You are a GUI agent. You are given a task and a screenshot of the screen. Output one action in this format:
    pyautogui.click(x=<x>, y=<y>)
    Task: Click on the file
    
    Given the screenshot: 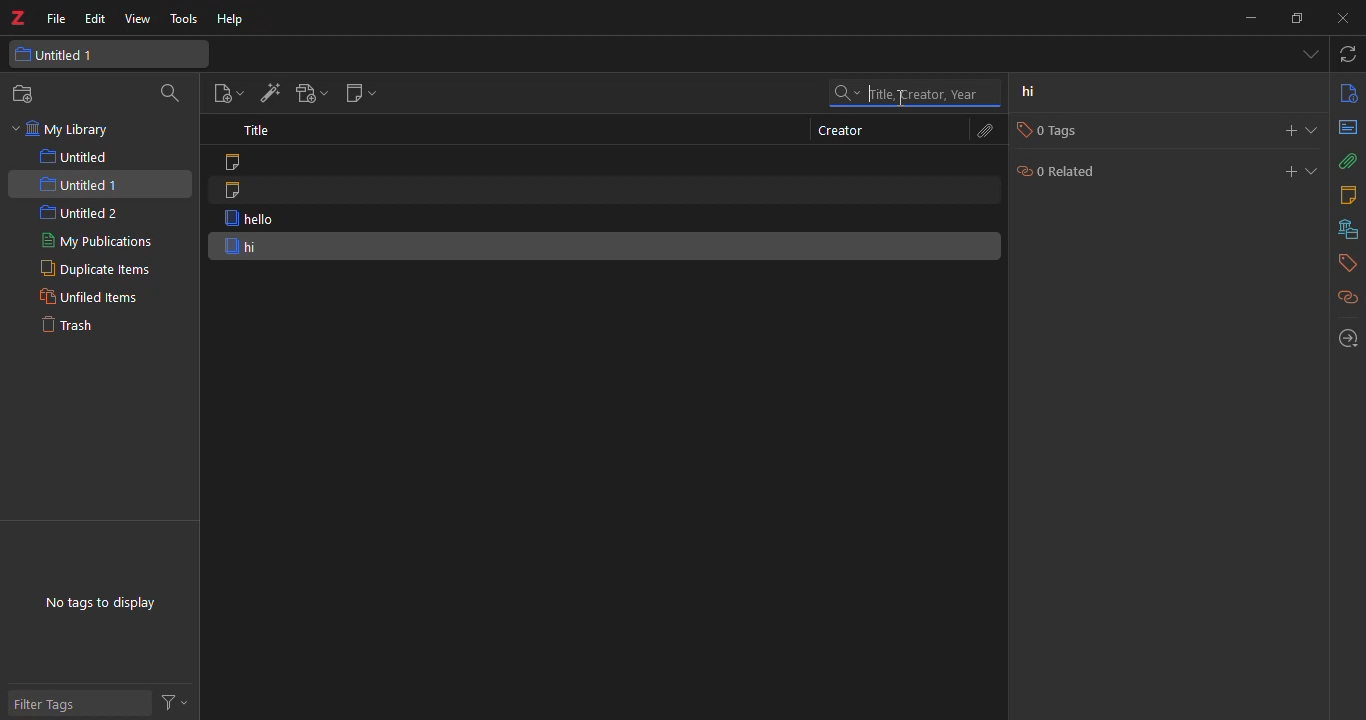 What is the action you would take?
    pyautogui.click(x=57, y=16)
    